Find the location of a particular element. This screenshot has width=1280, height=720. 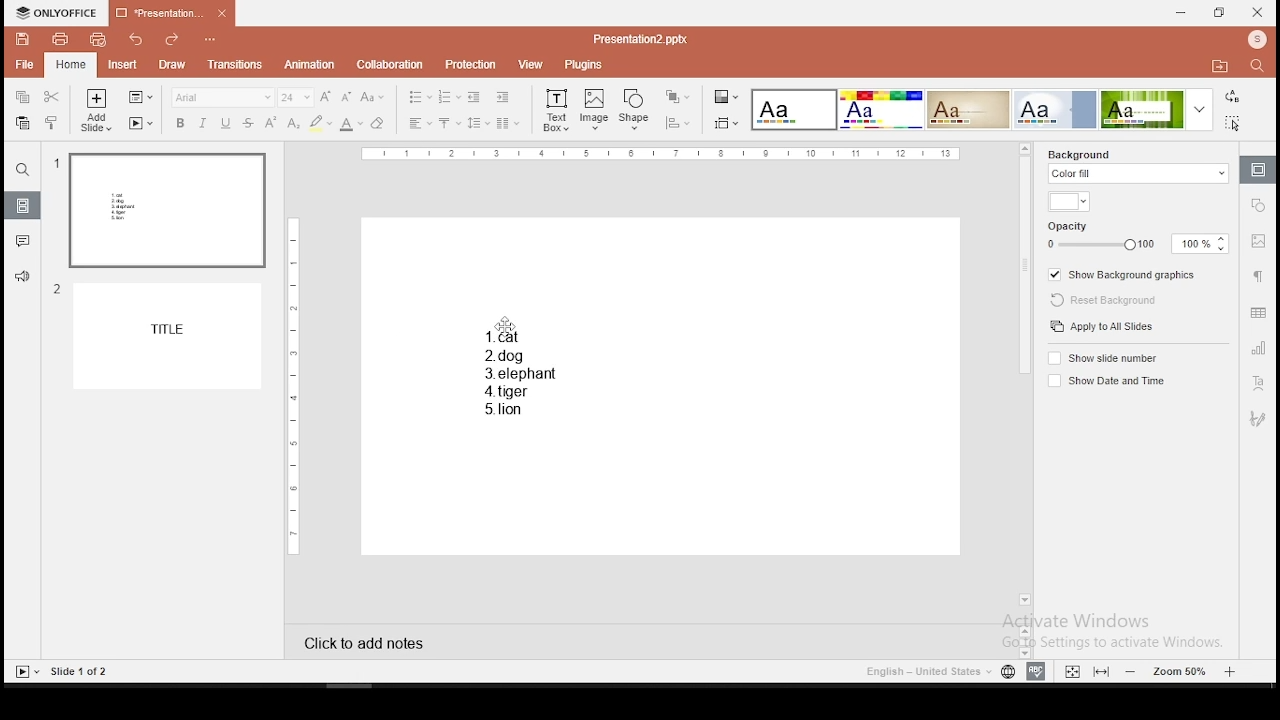

show slide number on/off is located at coordinates (1105, 357).